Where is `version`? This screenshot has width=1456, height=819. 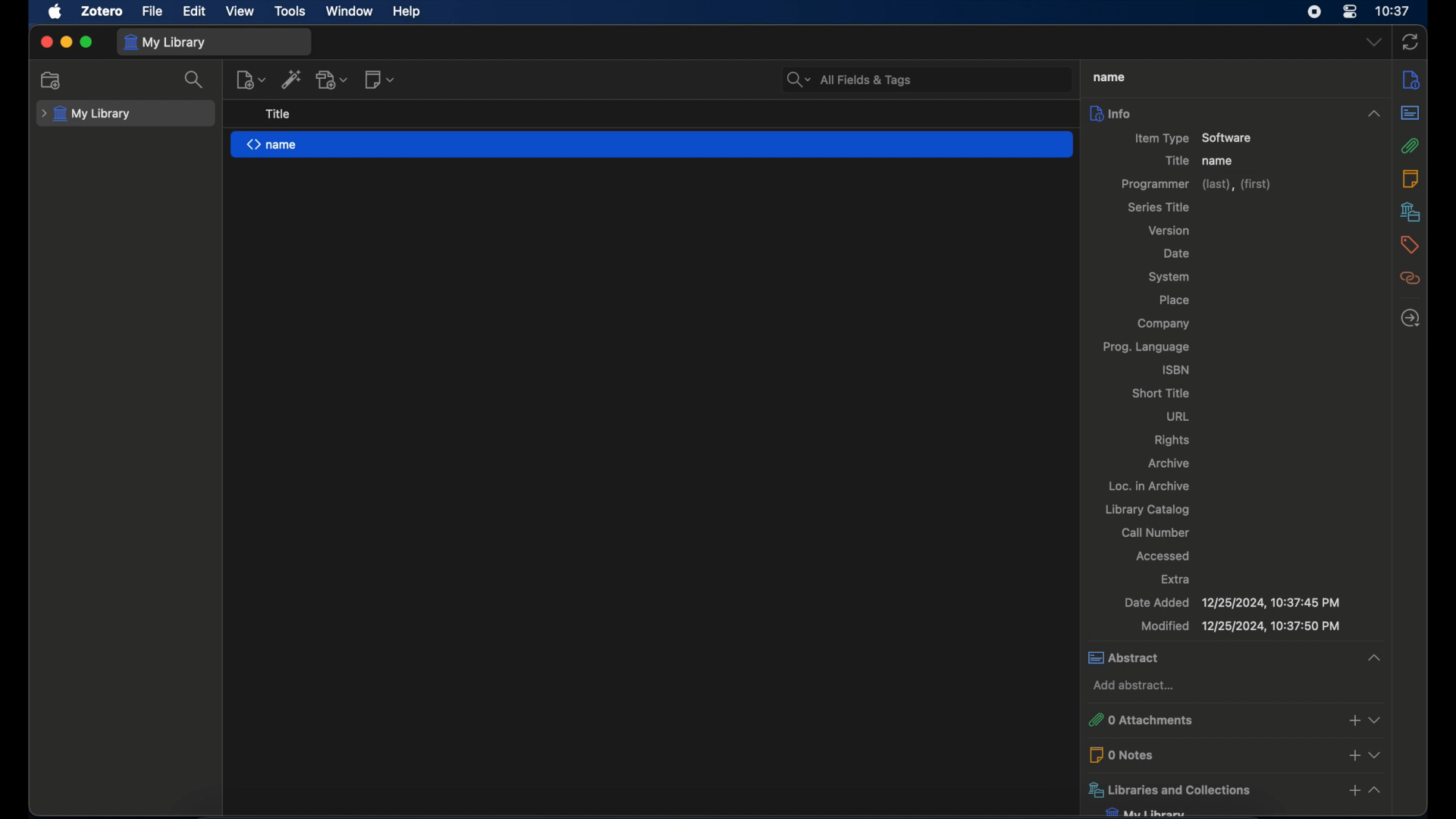
version is located at coordinates (1170, 231).